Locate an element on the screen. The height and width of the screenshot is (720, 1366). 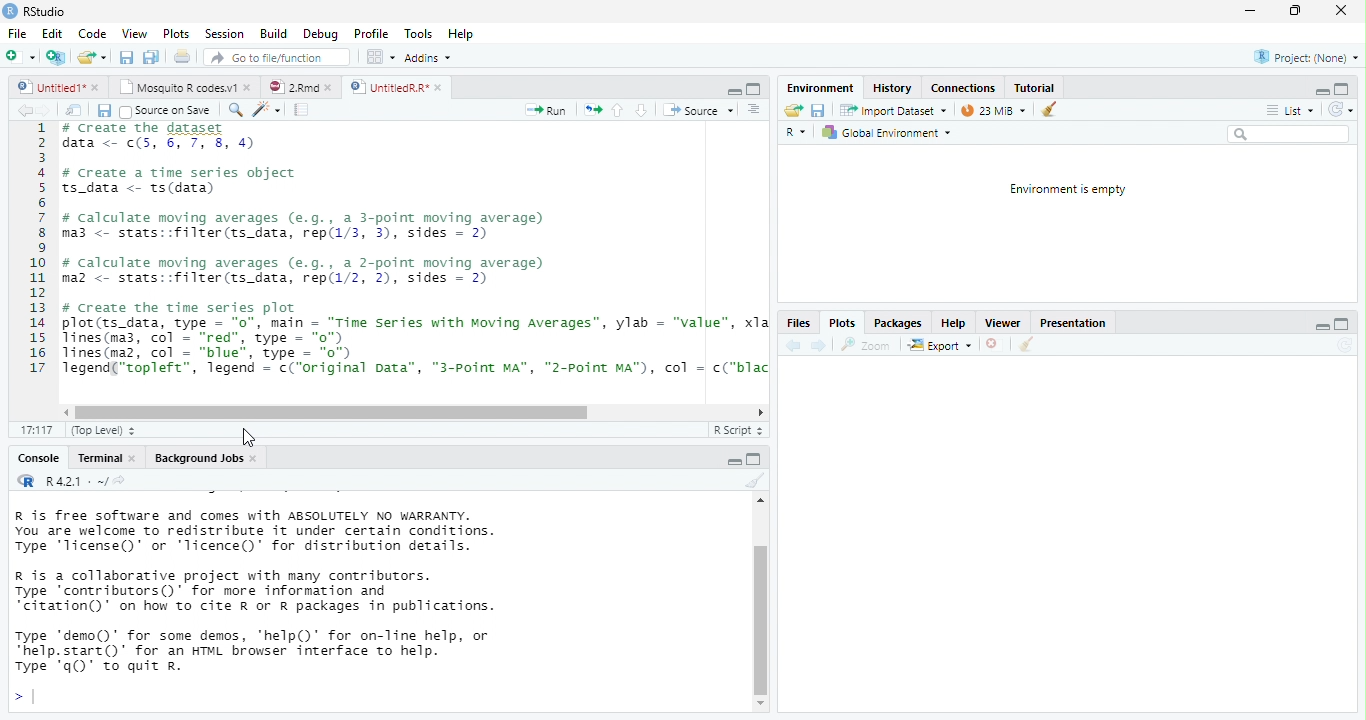
R is located at coordinates (798, 134).